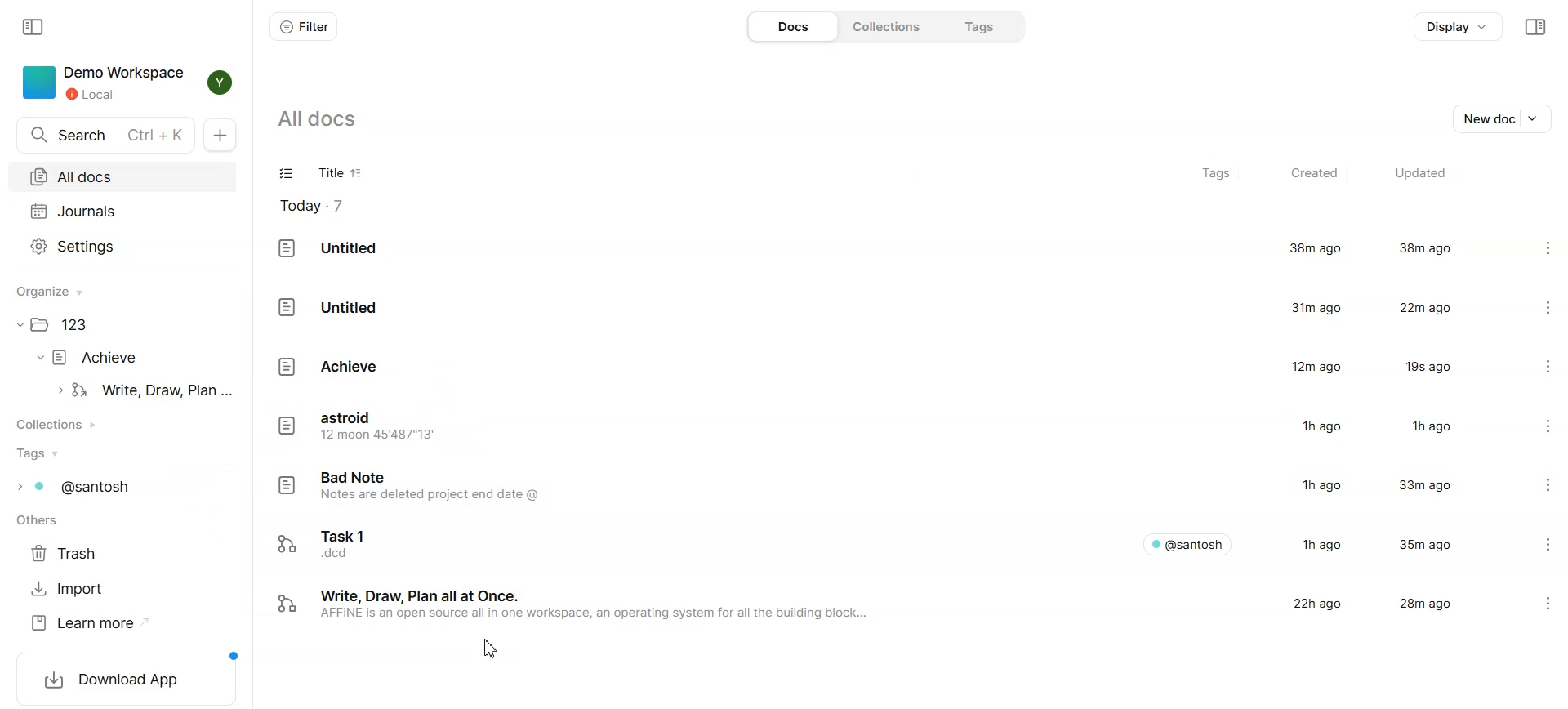 This screenshot has width=1568, height=709. I want to click on Doc file, so click(878, 367).